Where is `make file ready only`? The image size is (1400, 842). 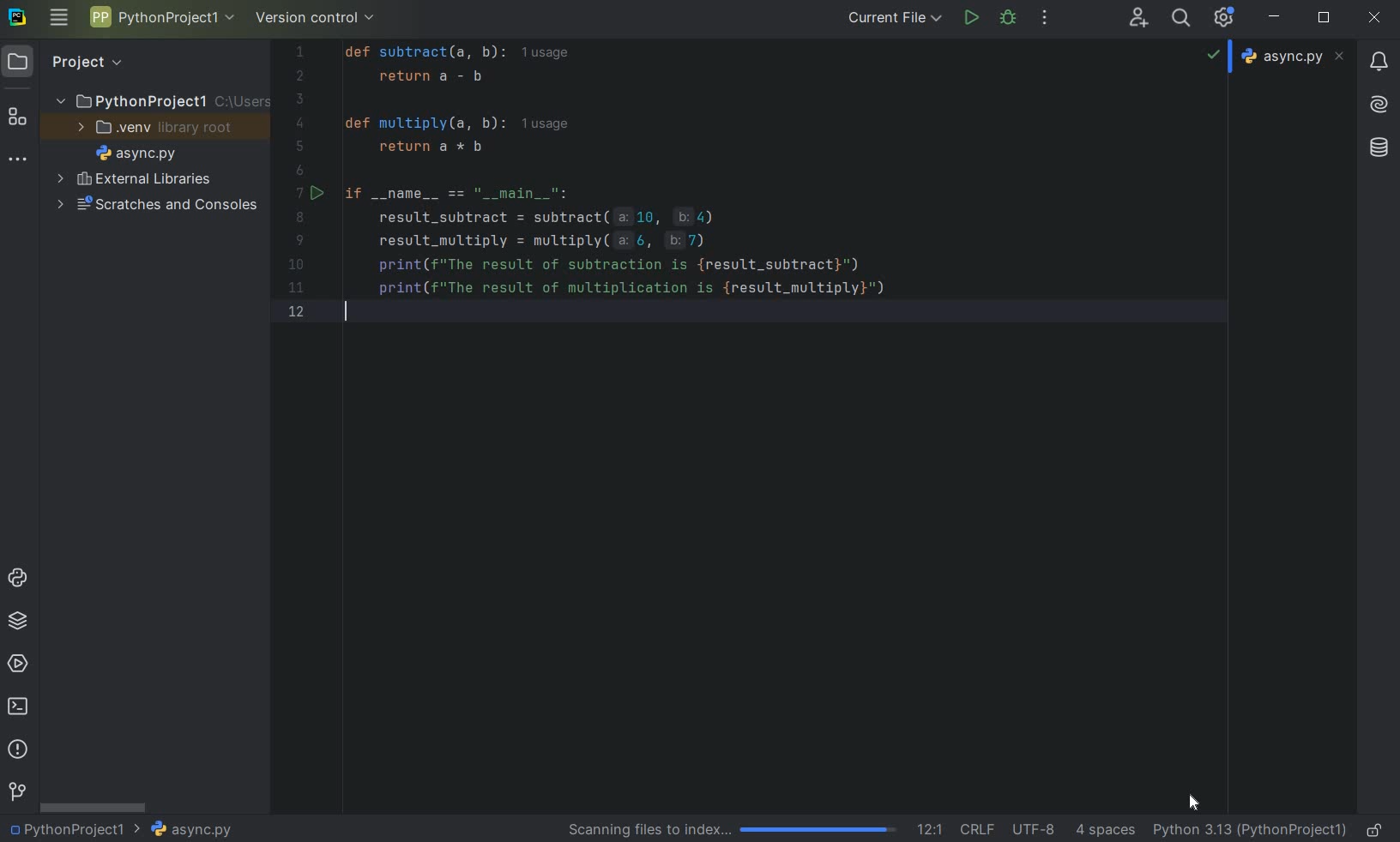 make file ready only is located at coordinates (1378, 830).